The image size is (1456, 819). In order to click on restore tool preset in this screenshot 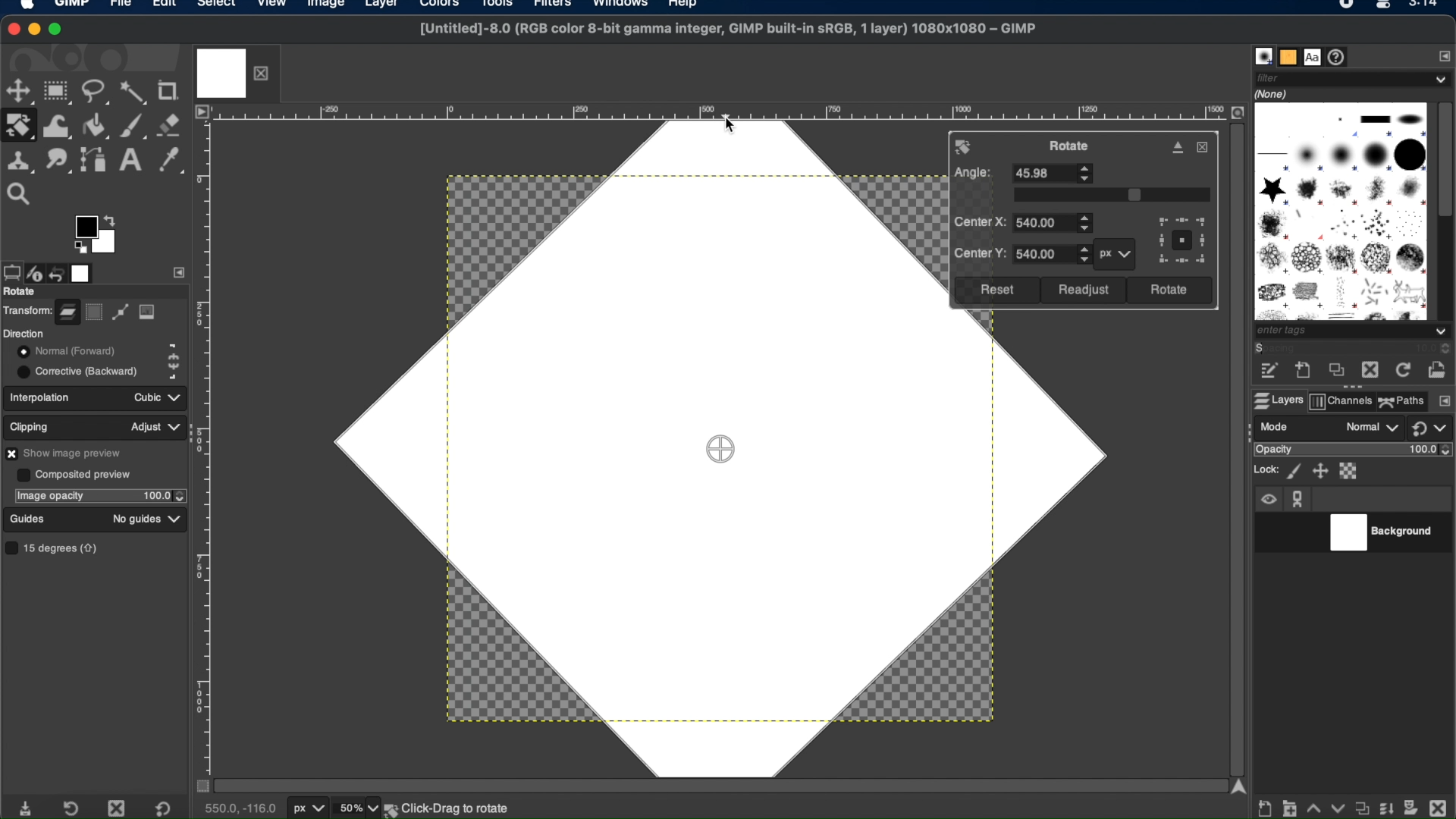, I will do `click(74, 807)`.